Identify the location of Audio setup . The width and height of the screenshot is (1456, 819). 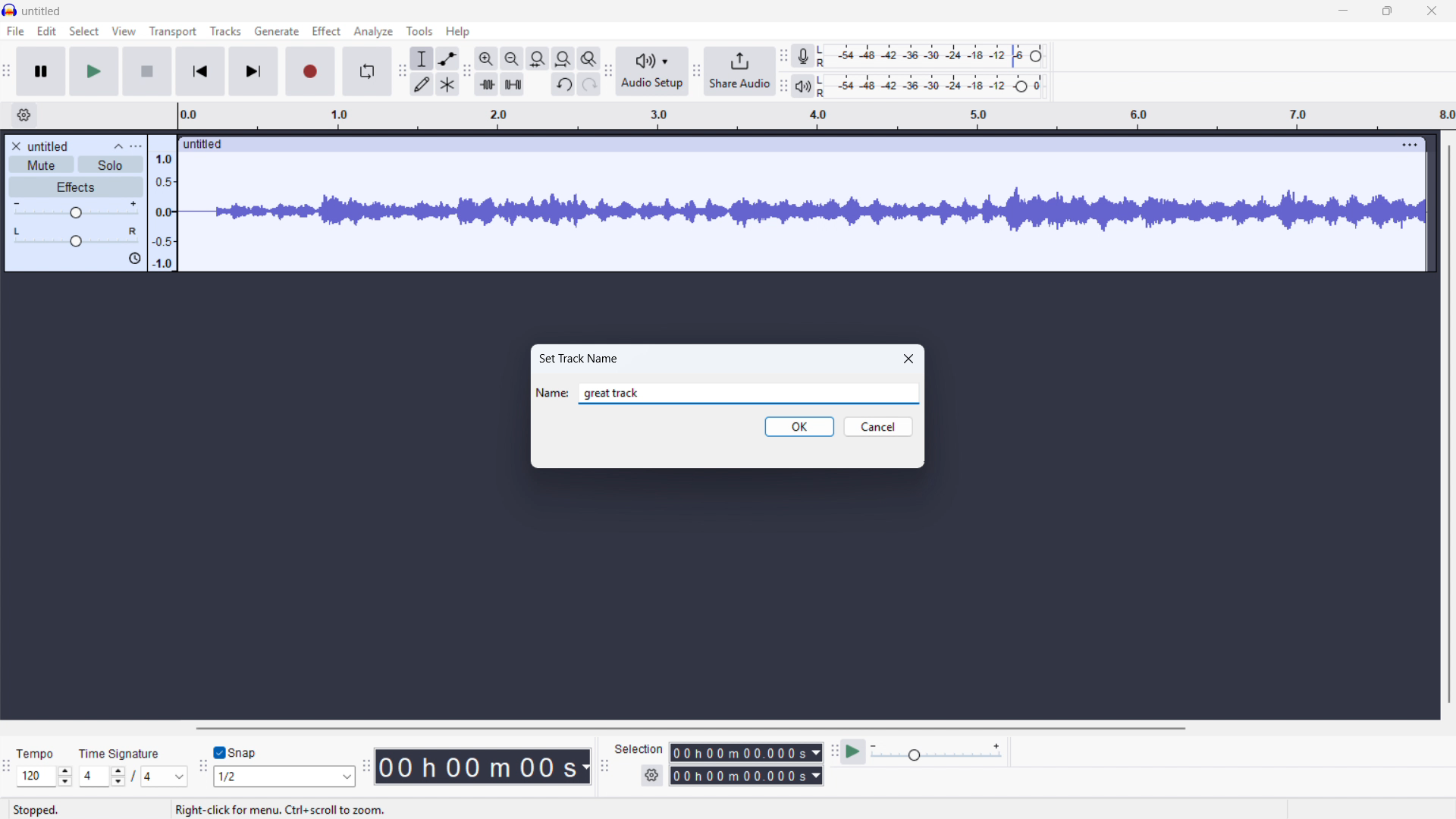
(652, 71).